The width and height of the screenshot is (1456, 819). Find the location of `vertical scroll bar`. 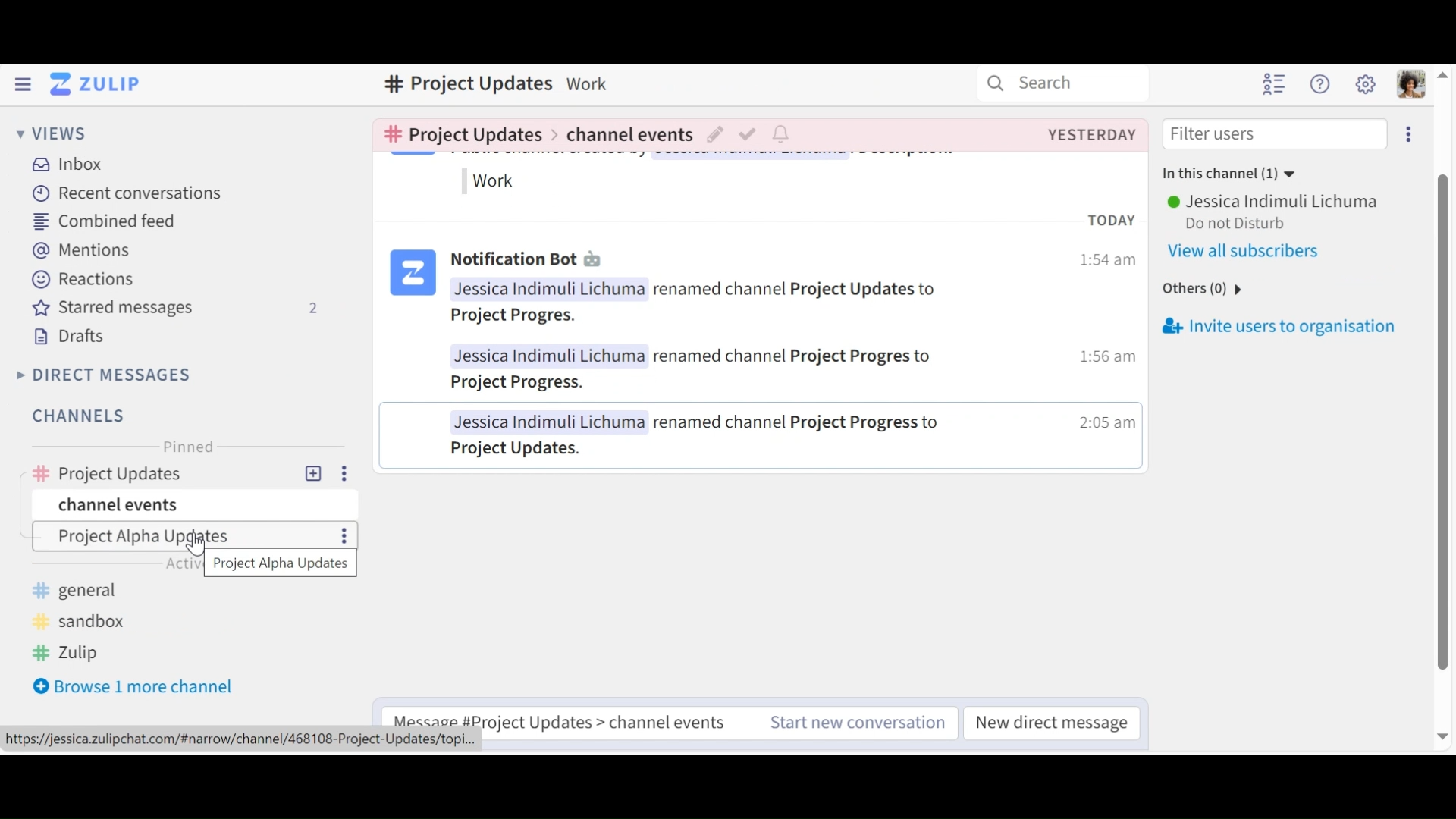

vertical scroll bar is located at coordinates (1446, 422).